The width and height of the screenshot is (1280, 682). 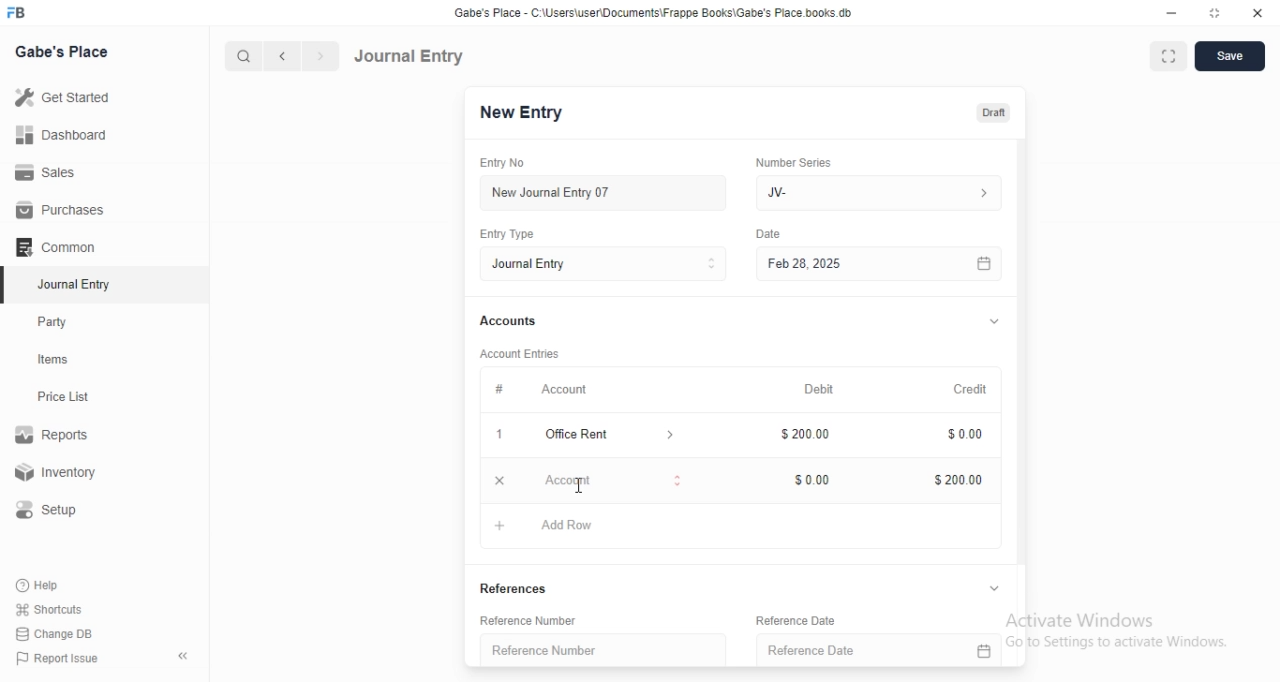 What do you see at coordinates (880, 265) in the screenshot?
I see `Feb 28, 2025` at bounding box center [880, 265].